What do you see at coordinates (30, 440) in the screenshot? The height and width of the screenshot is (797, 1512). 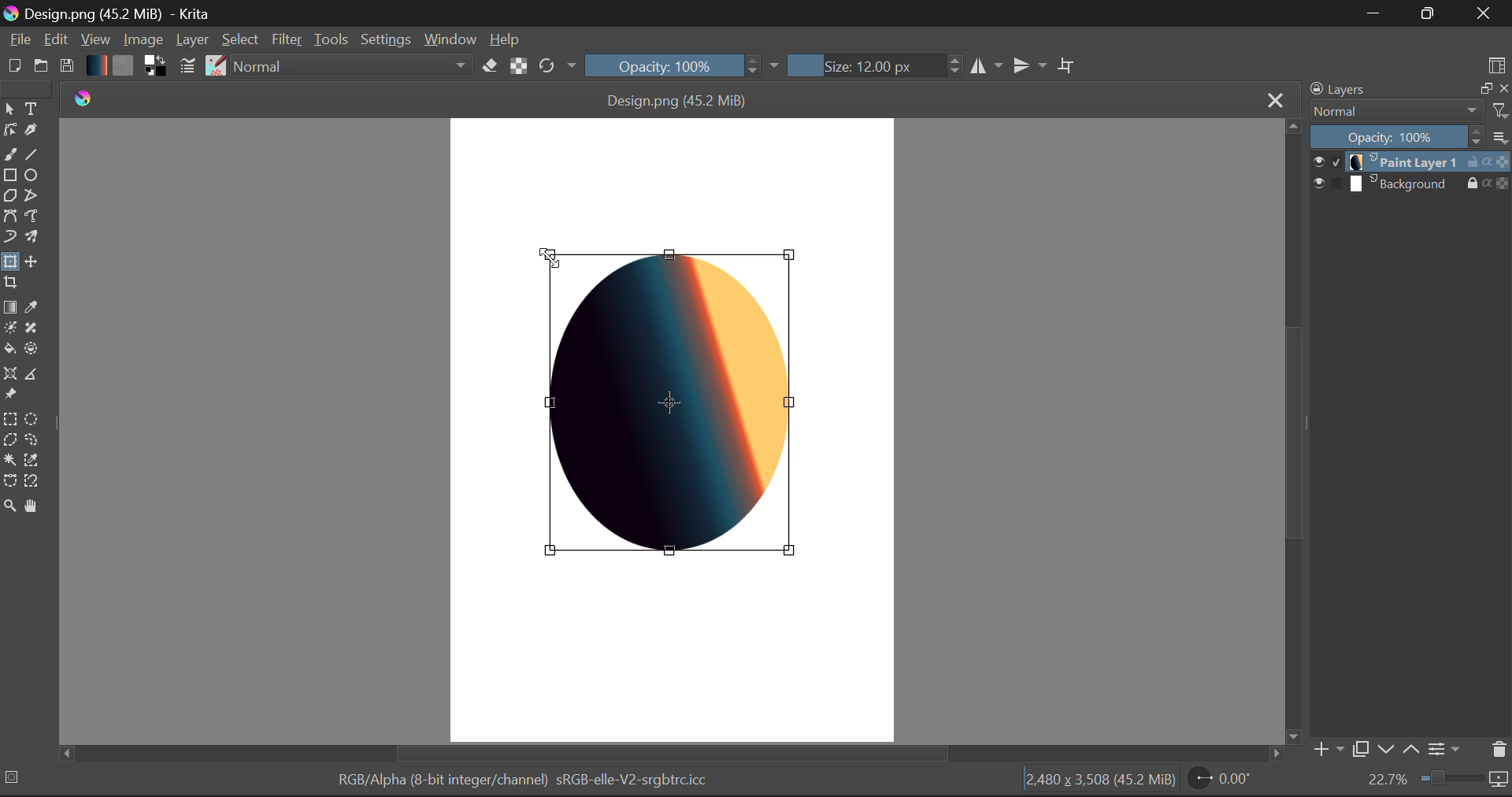 I see `Freehand Selection` at bounding box center [30, 440].